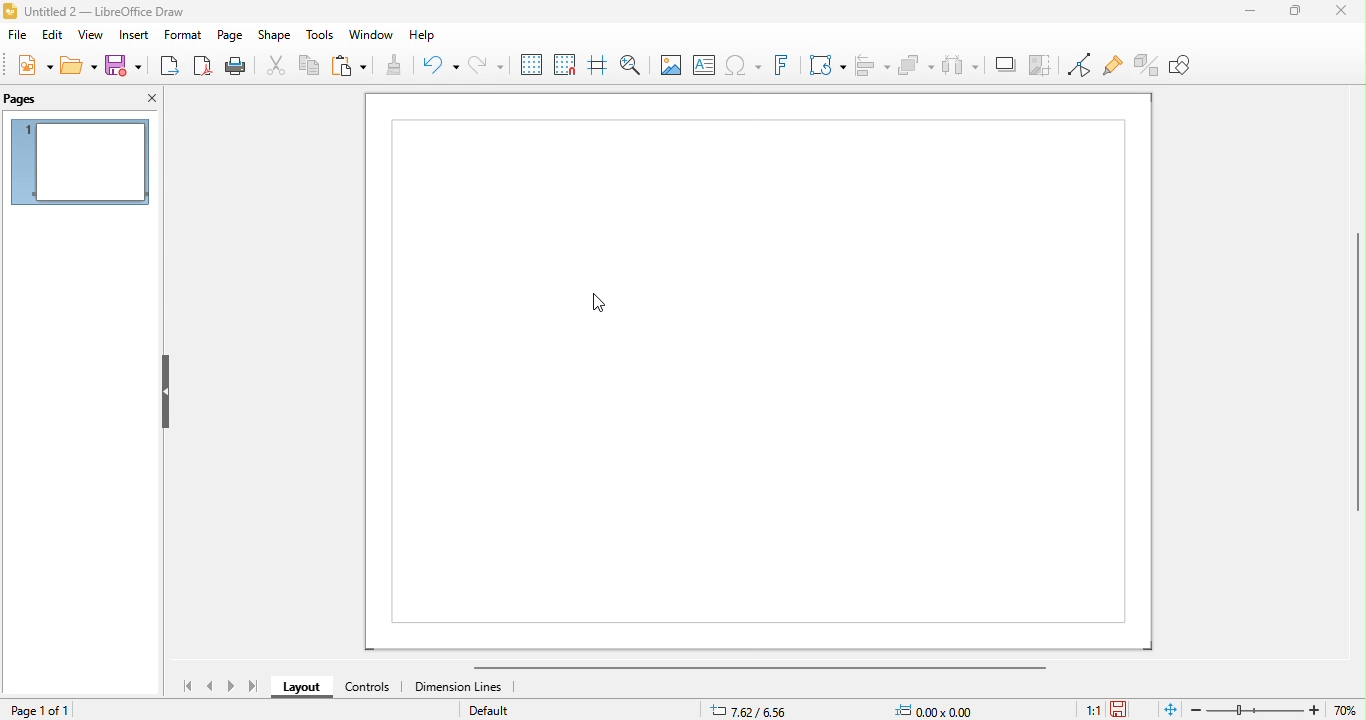 The height and width of the screenshot is (720, 1366). I want to click on print, so click(235, 66).